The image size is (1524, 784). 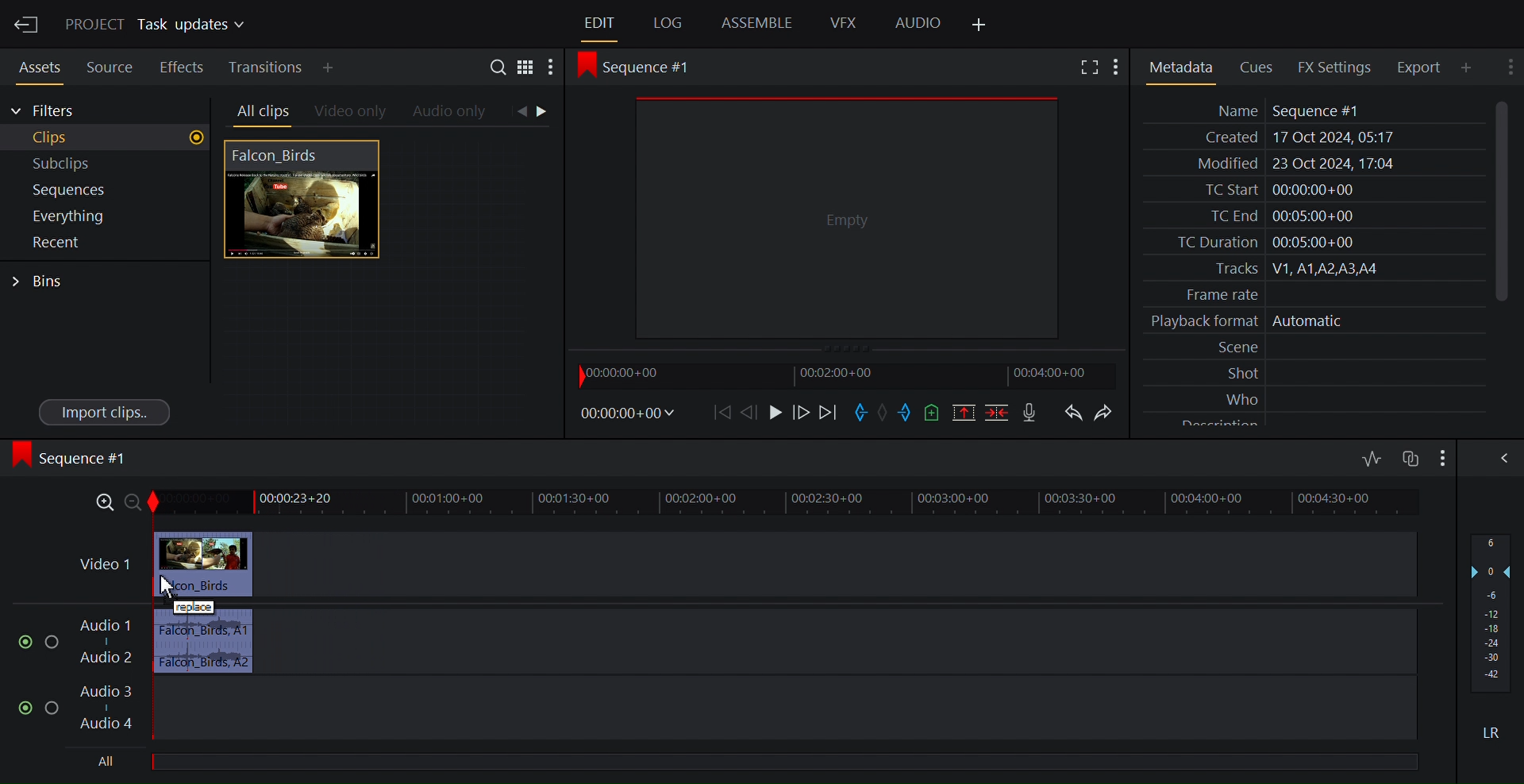 I want to click on All, so click(x=108, y=762).